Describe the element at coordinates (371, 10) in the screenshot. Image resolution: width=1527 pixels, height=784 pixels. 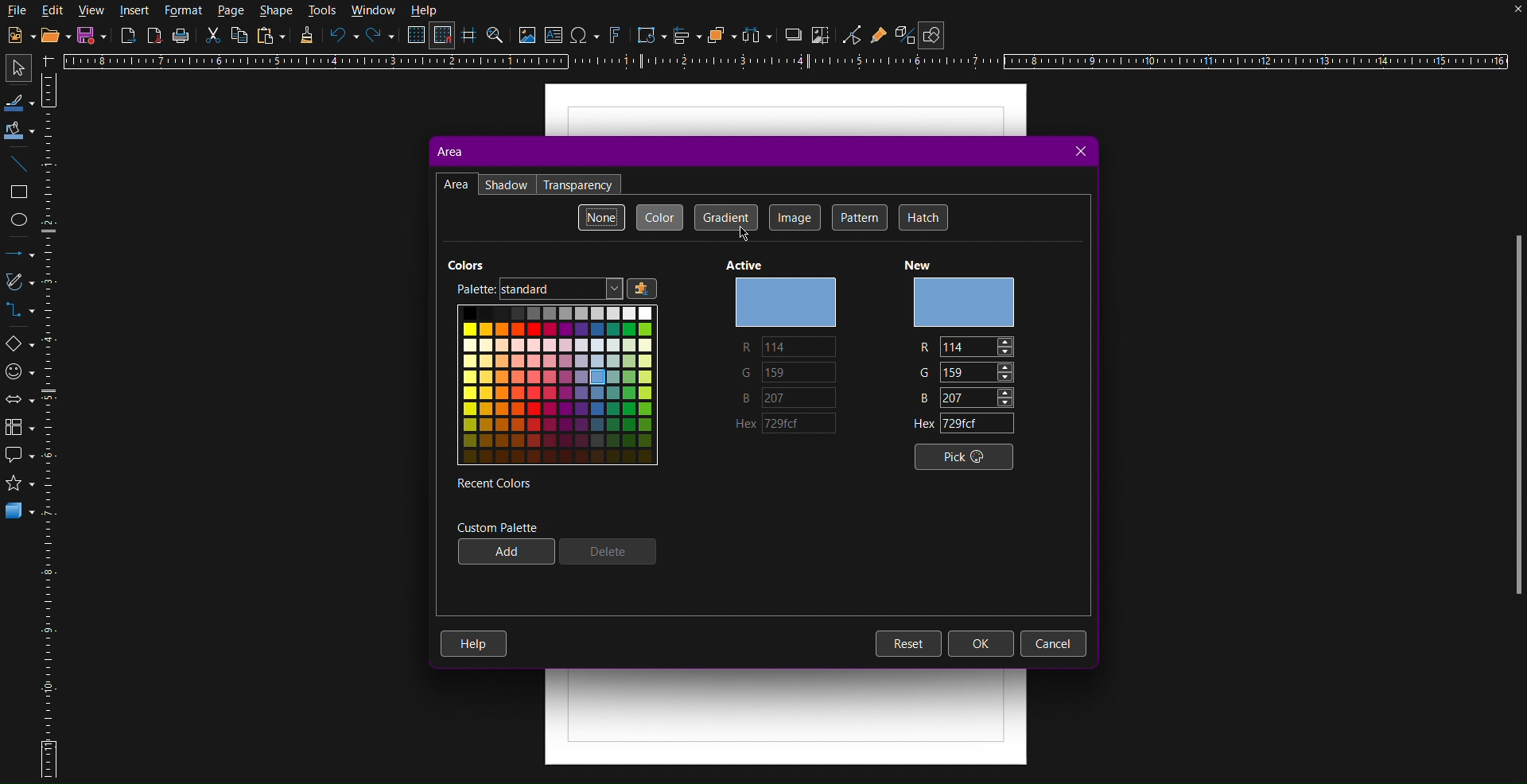
I see `Window` at that location.